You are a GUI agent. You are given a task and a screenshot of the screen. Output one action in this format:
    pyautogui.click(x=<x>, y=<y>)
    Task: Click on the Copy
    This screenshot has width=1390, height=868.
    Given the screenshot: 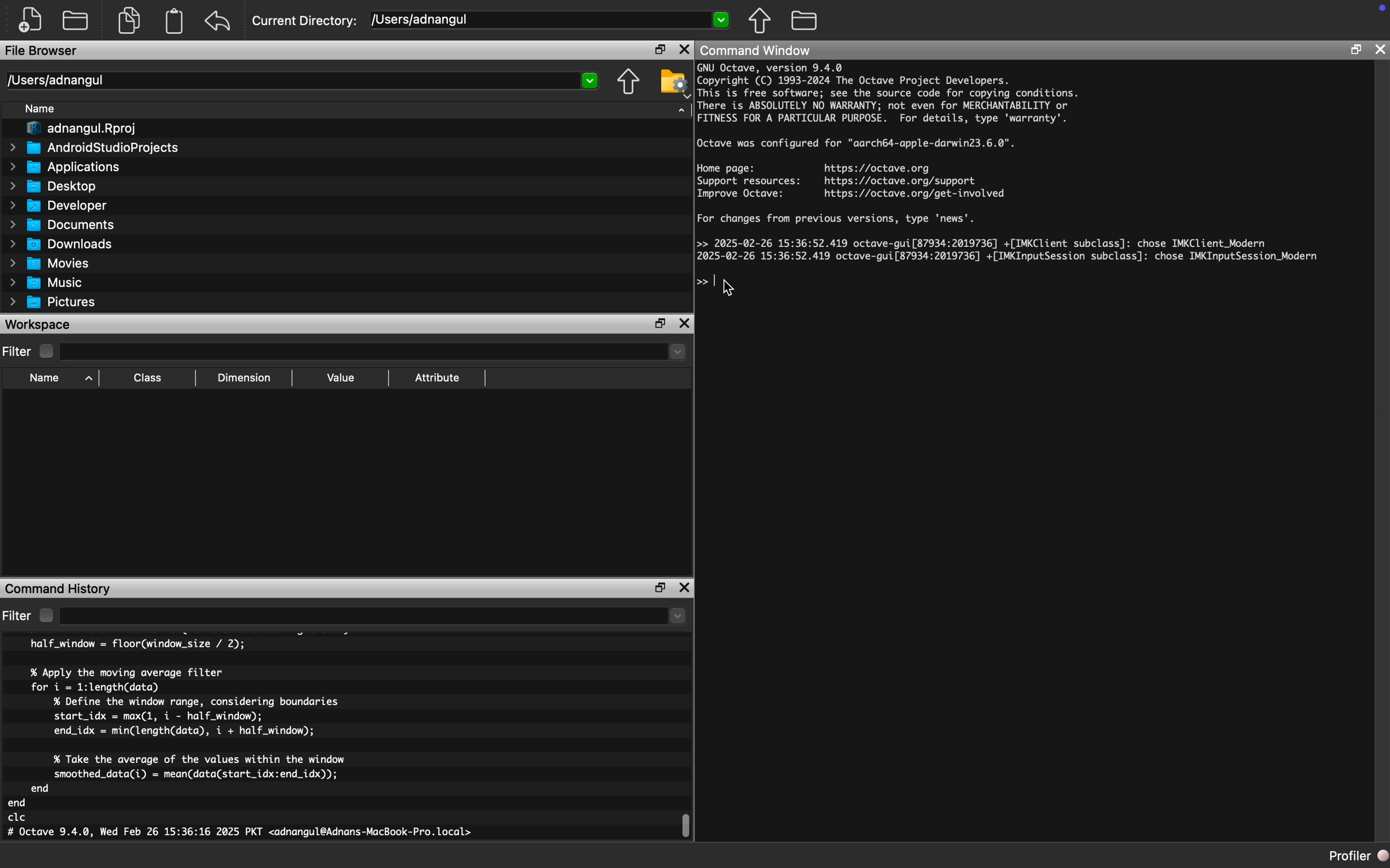 What is the action you would take?
    pyautogui.click(x=129, y=21)
    